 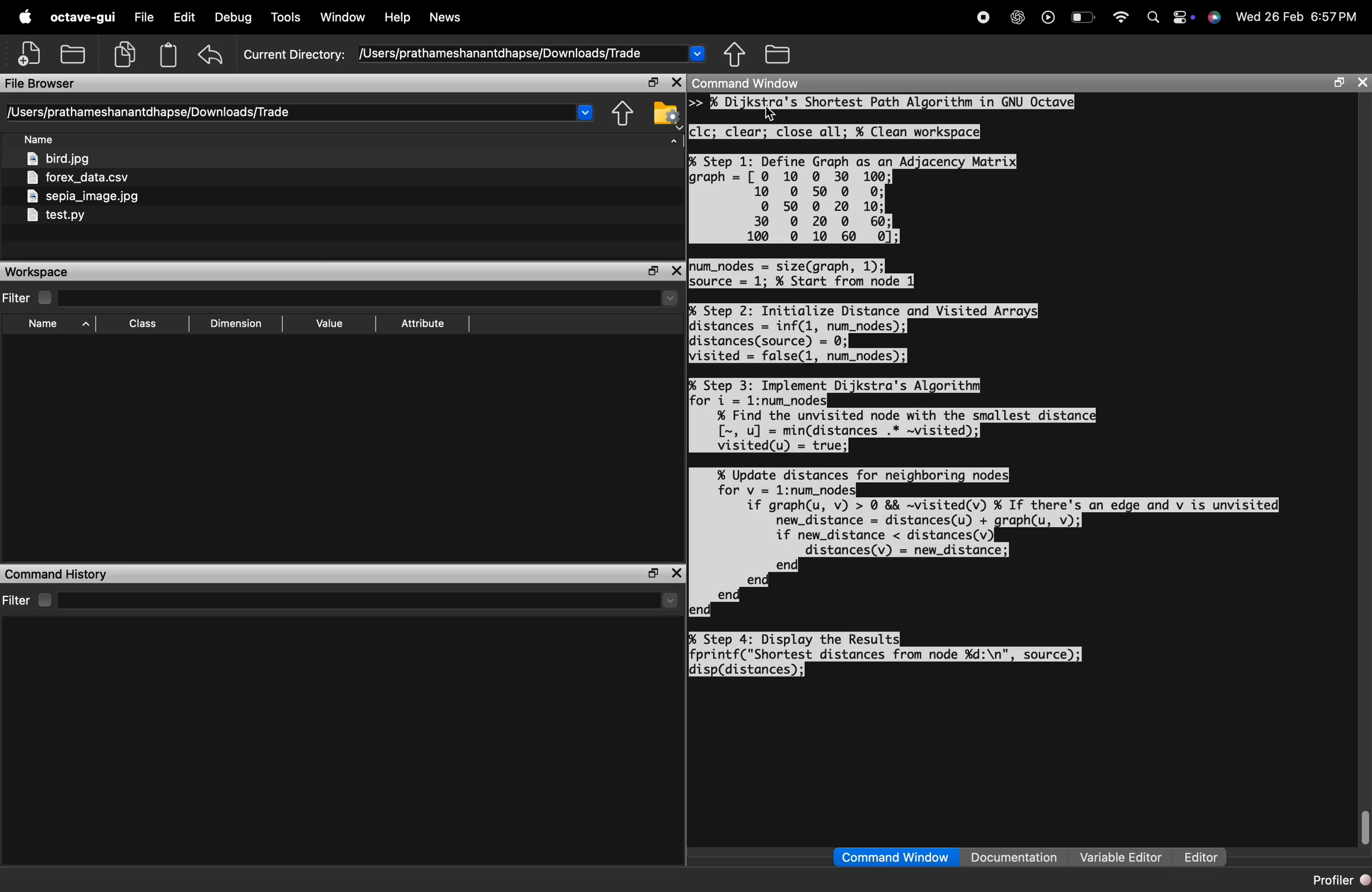 What do you see at coordinates (1121, 857) in the screenshot?
I see `variable editor` at bounding box center [1121, 857].